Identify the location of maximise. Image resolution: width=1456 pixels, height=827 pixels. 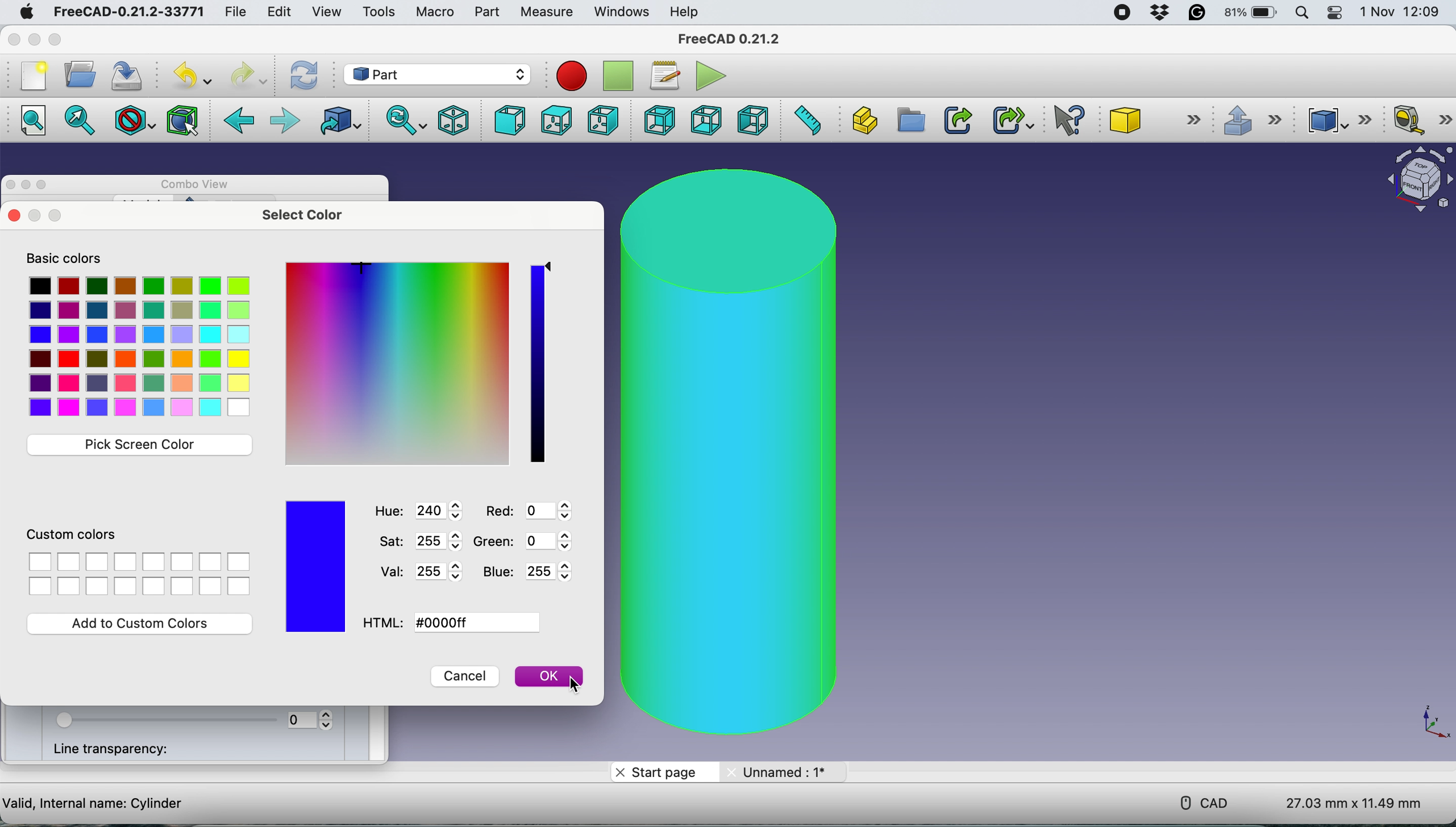
(54, 217).